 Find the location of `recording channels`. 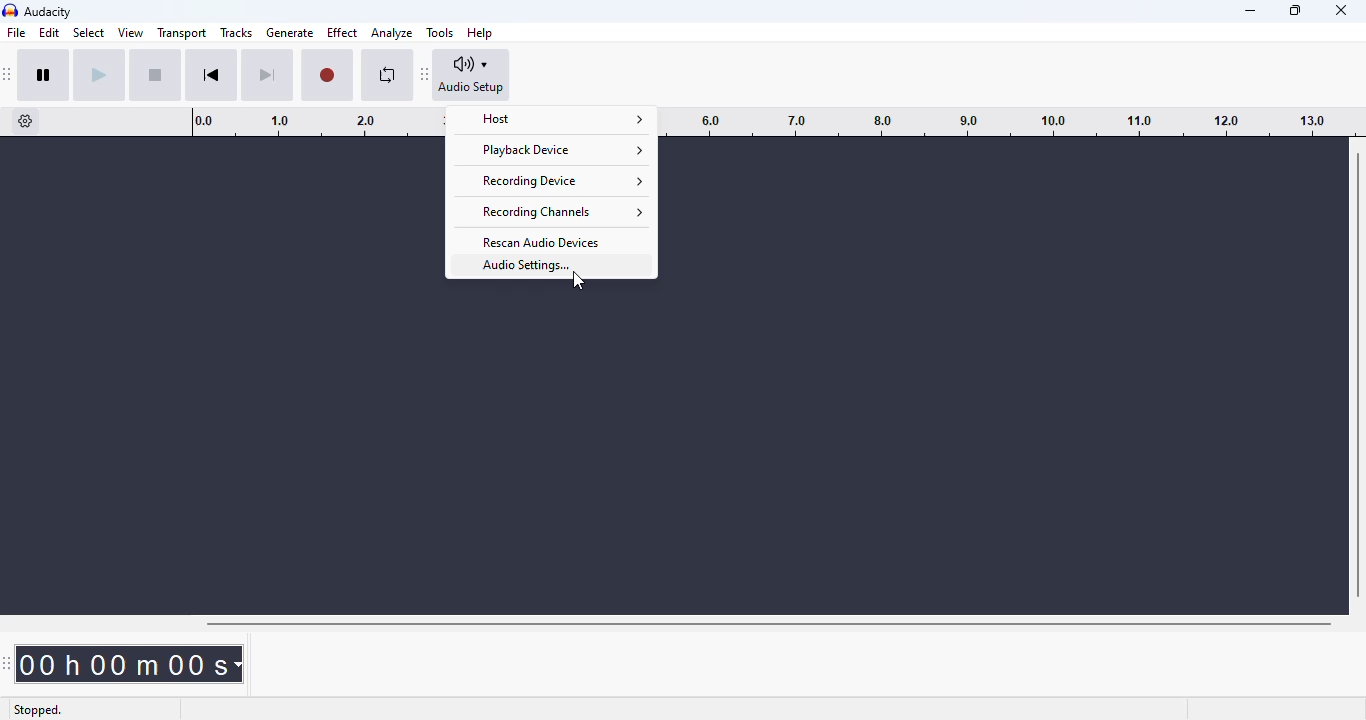

recording channels is located at coordinates (552, 210).